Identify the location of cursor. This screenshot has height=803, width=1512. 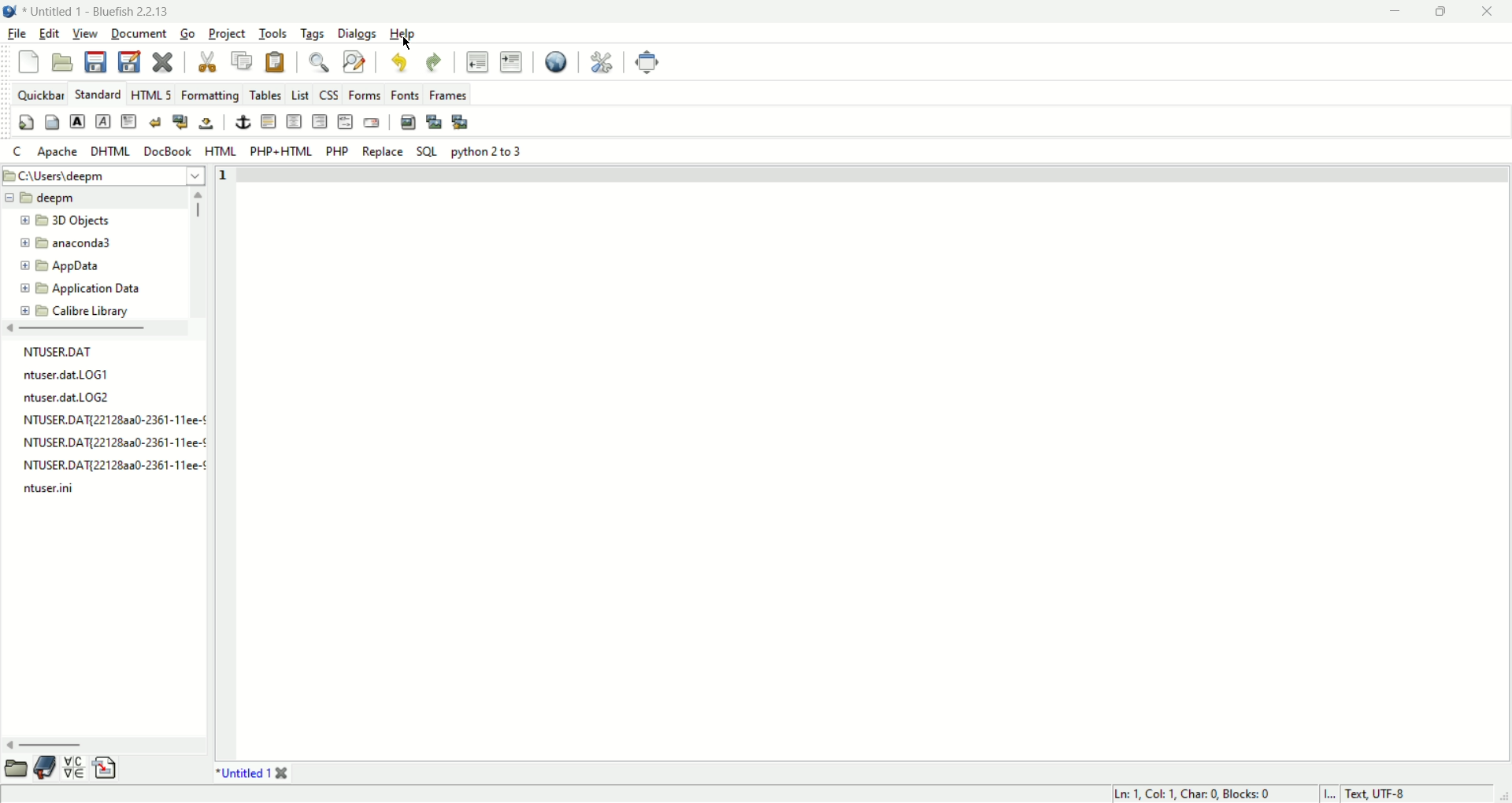
(409, 44).